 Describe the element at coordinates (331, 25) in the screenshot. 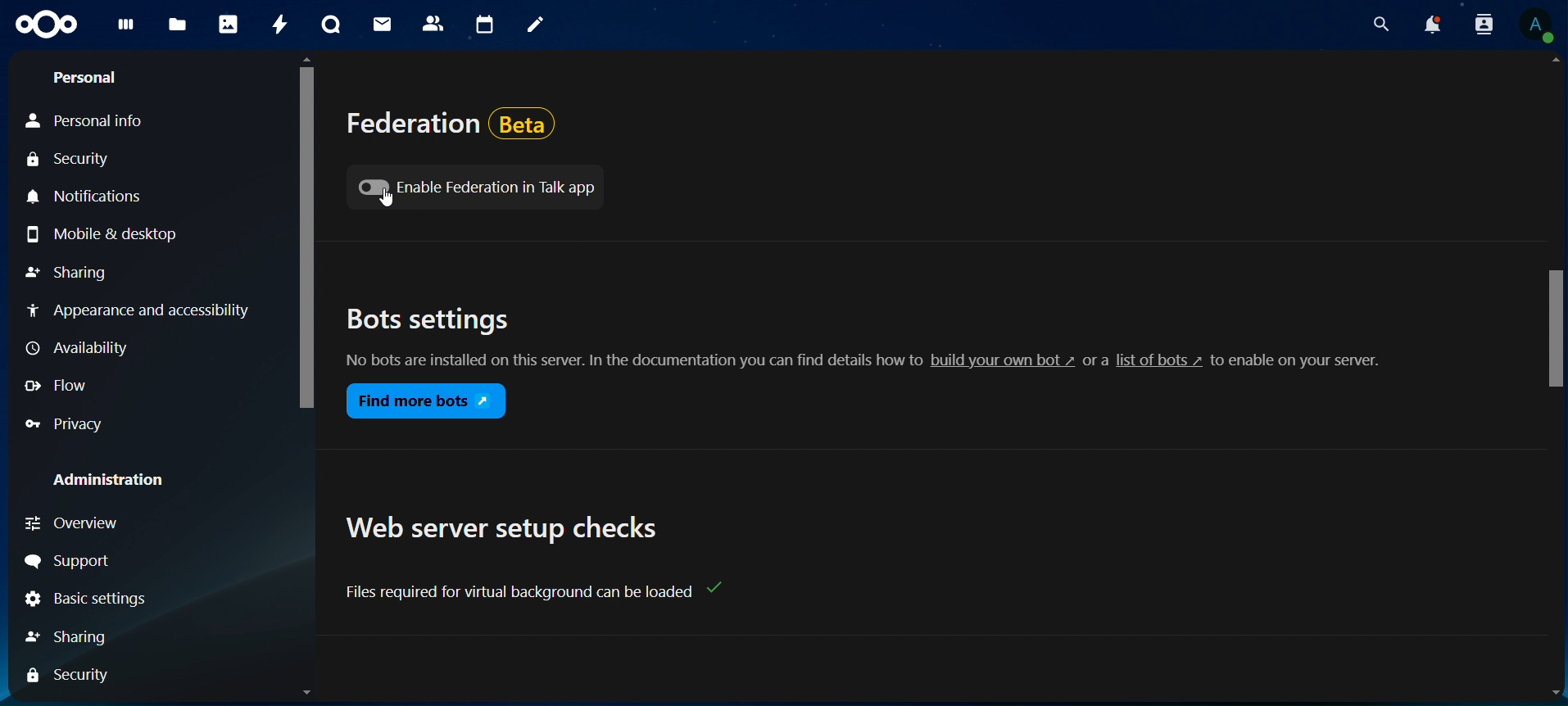

I see `talk` at that location.